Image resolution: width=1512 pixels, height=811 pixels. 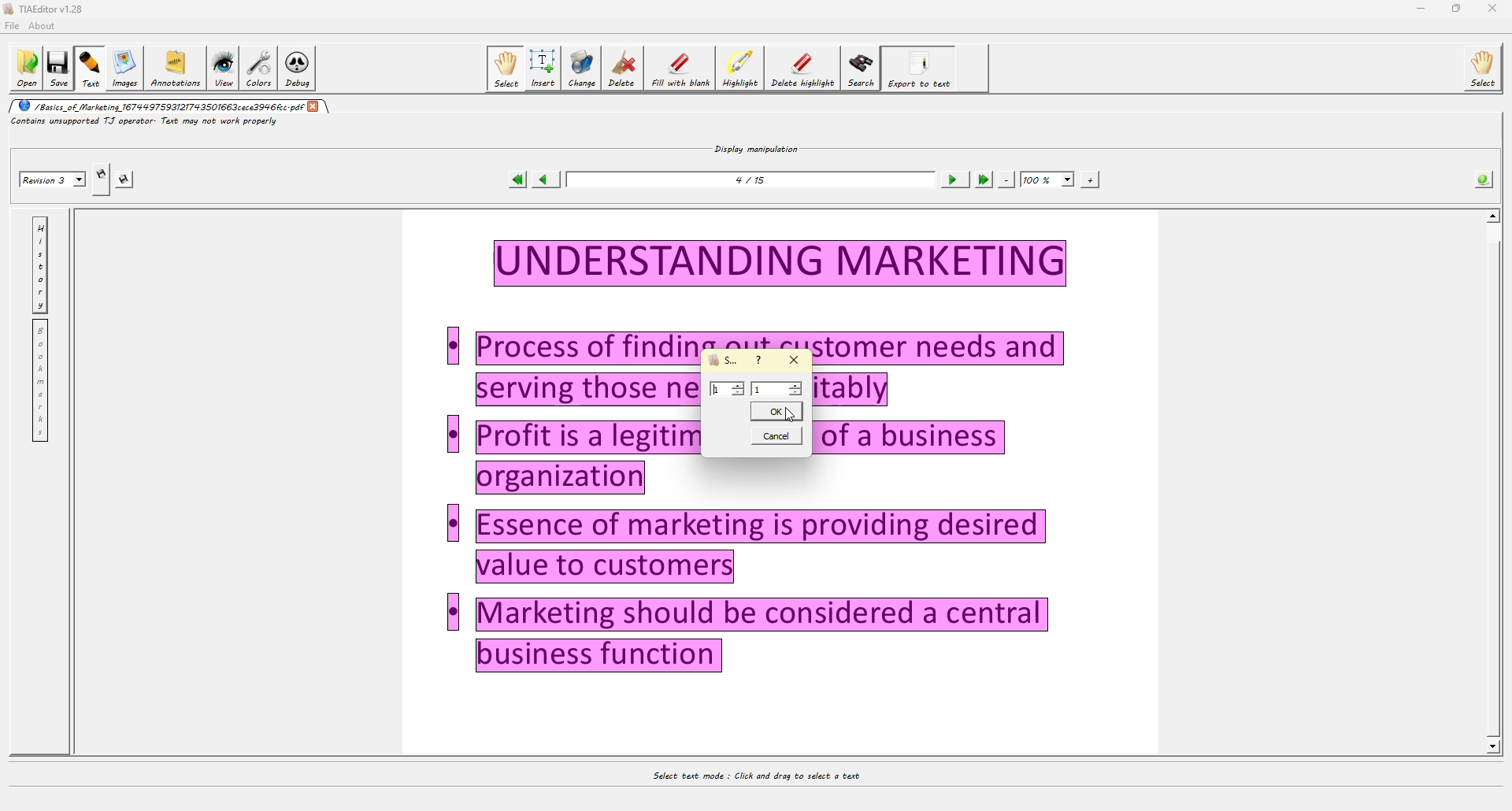 What do you see at coordinates (454, 610) in the screenshot?
I see `` at bounding box center [454, 610].